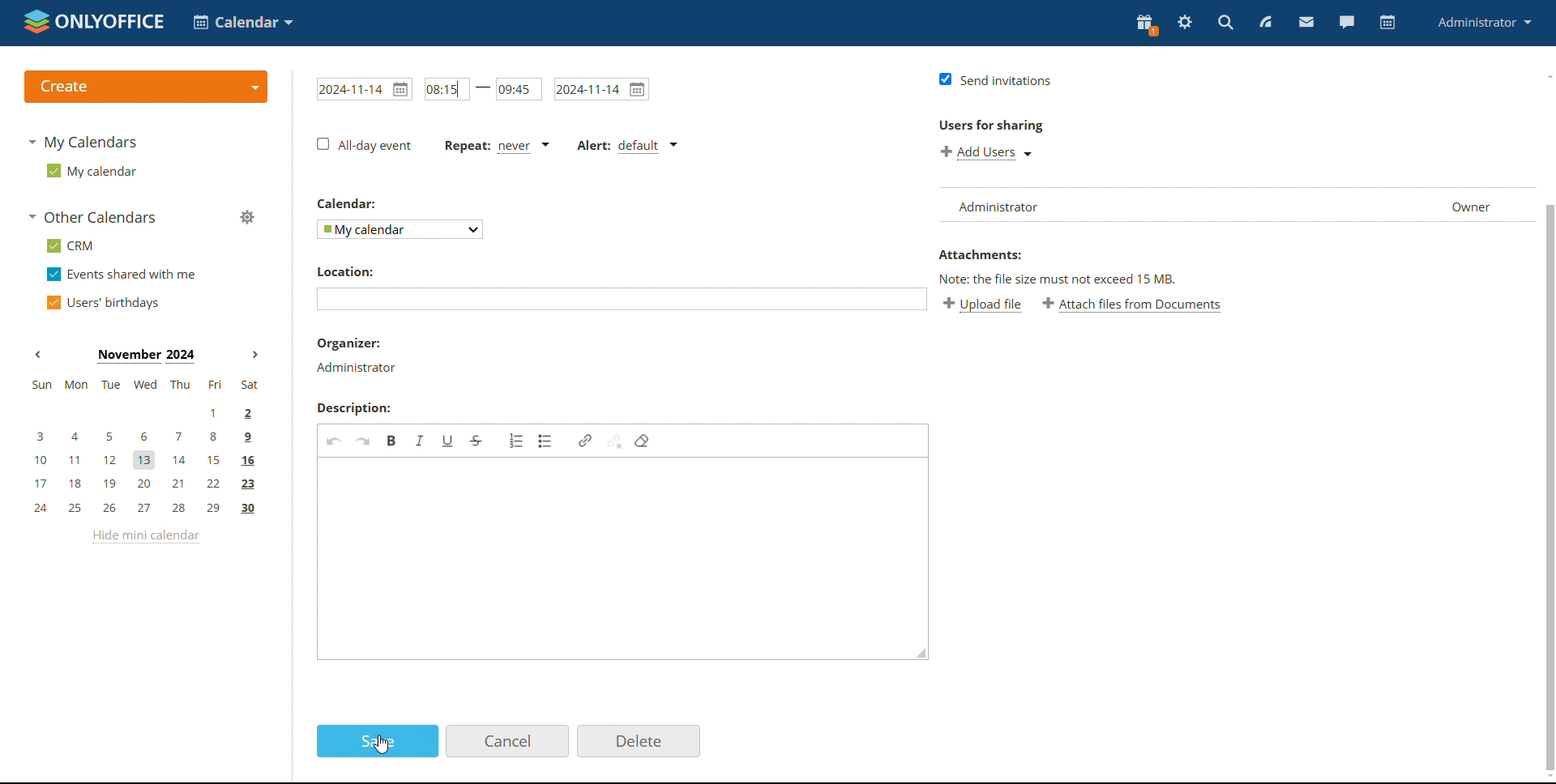 This screenshot has width=1556, height=784. What do you see at coordinates (402, 228) in the screenshot?
I see `select event calendar` at bounding box center [402, 228].